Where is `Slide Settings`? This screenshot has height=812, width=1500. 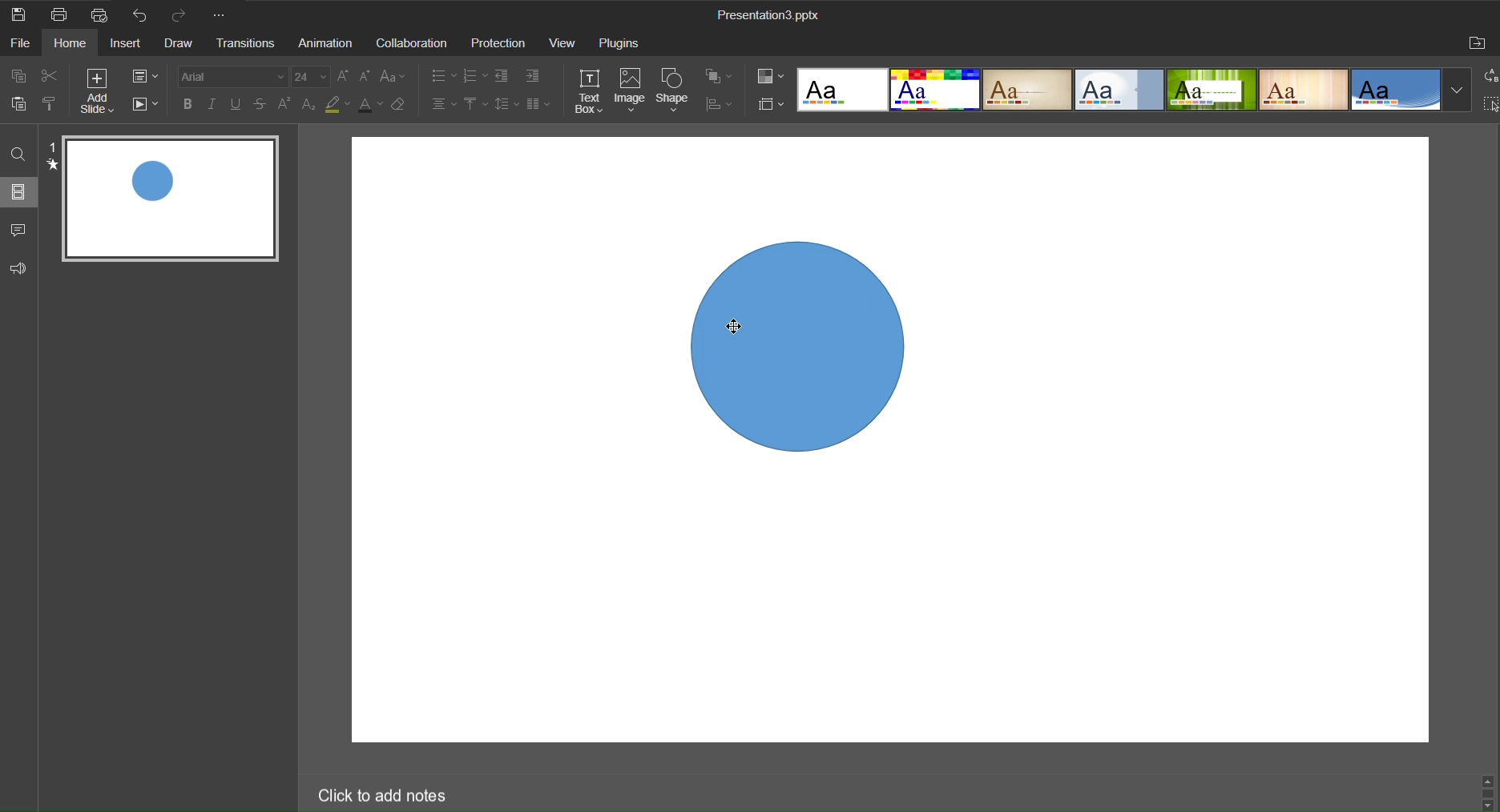 Slide Settings is located at coordinates (151, 75).